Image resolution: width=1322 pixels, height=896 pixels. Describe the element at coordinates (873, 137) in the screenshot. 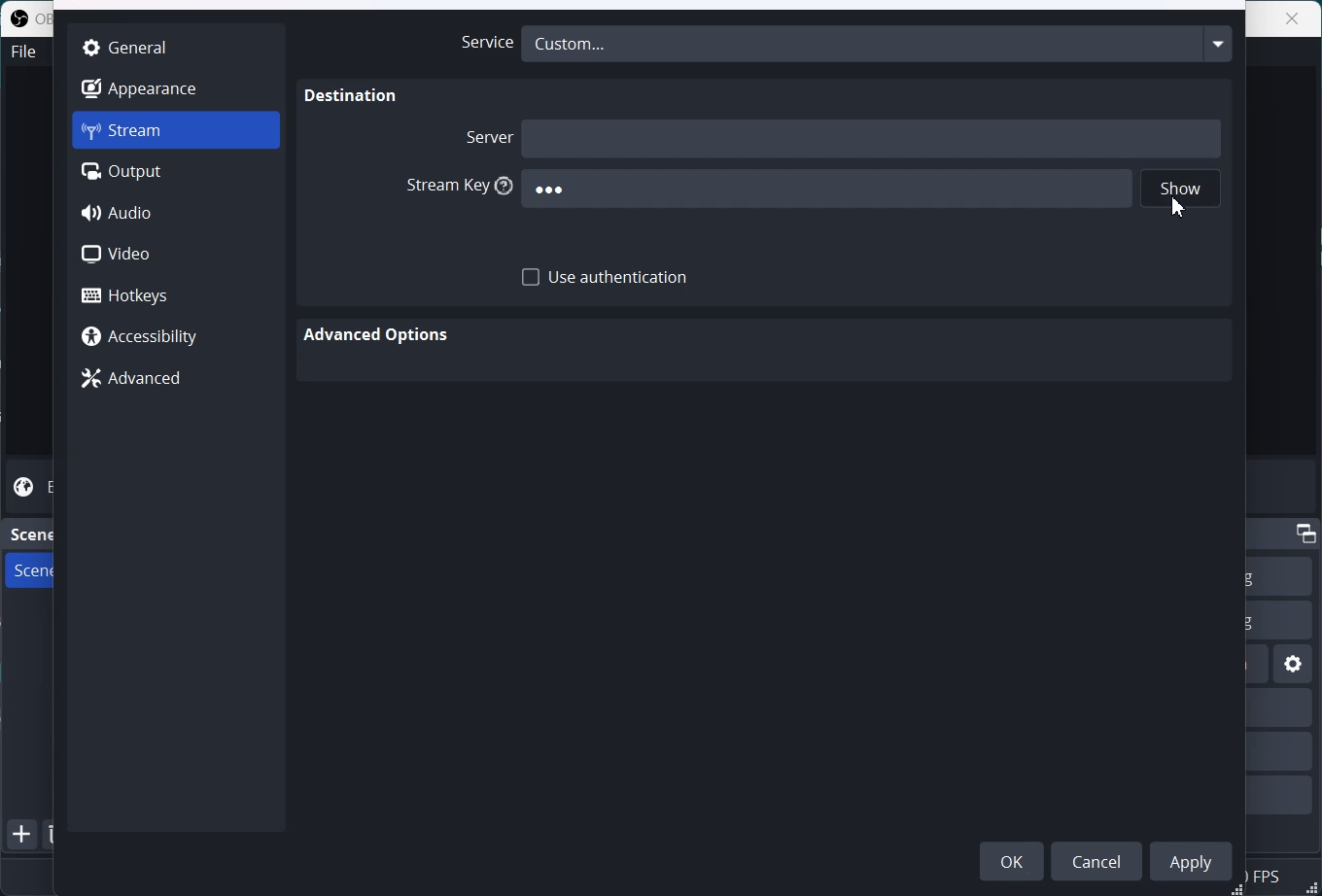

I see `Server name` at that location.